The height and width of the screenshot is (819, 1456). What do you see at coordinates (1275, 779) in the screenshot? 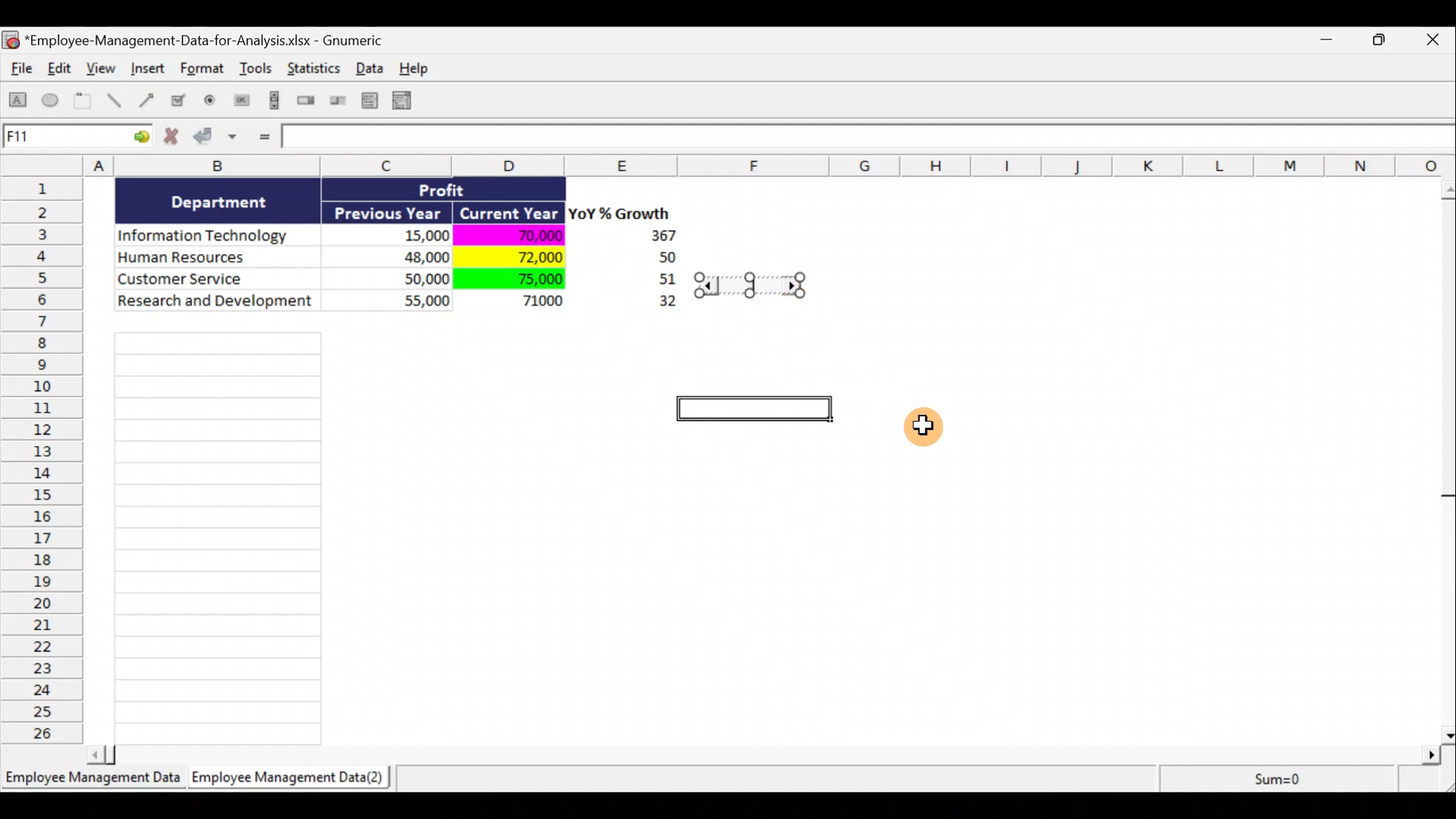
I see `Sum=0` at bounding box center [1275, 779].